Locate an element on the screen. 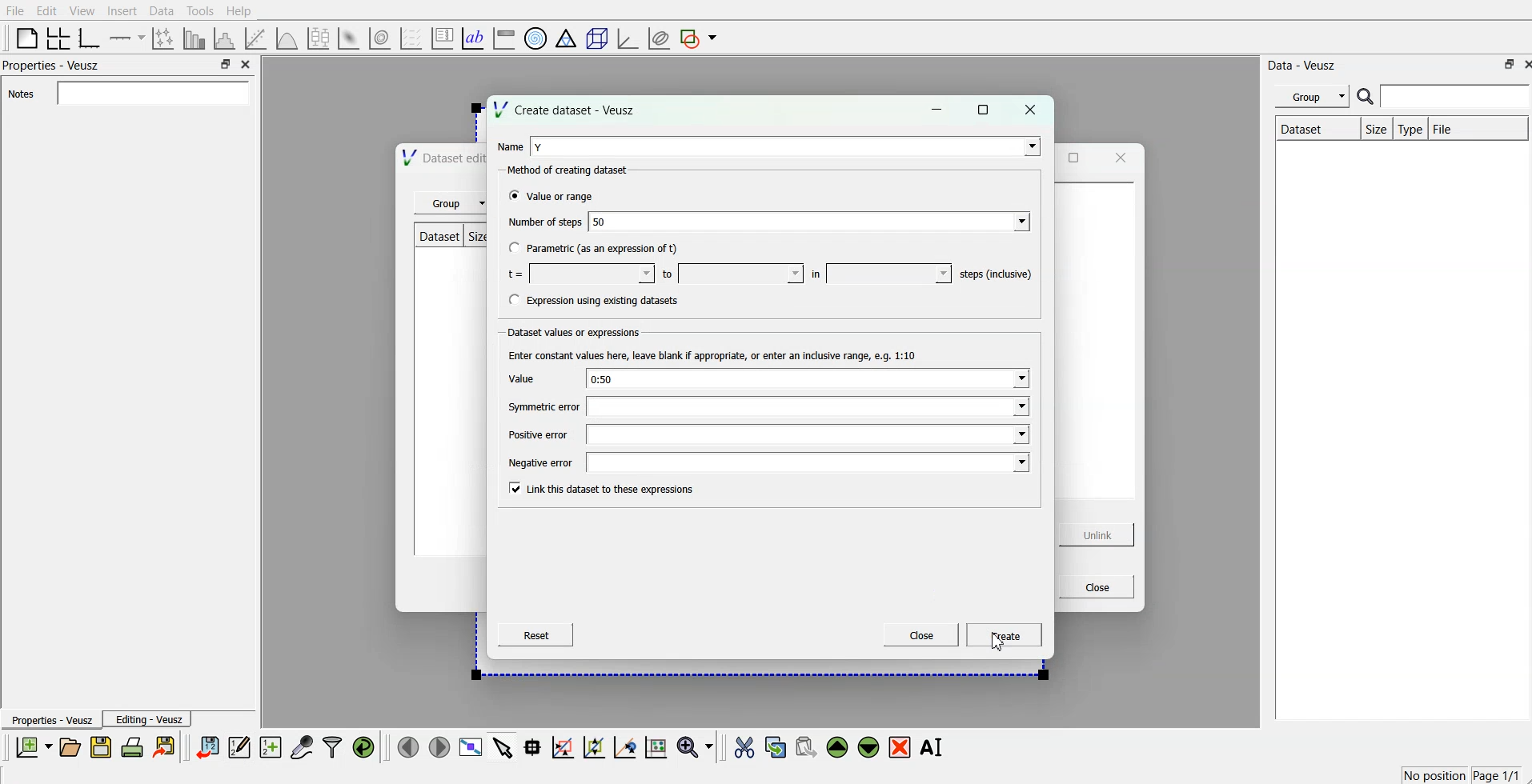 This screenshot has height=784, width=1532. Expression using existing datasets is located at coordinates (612, 300).